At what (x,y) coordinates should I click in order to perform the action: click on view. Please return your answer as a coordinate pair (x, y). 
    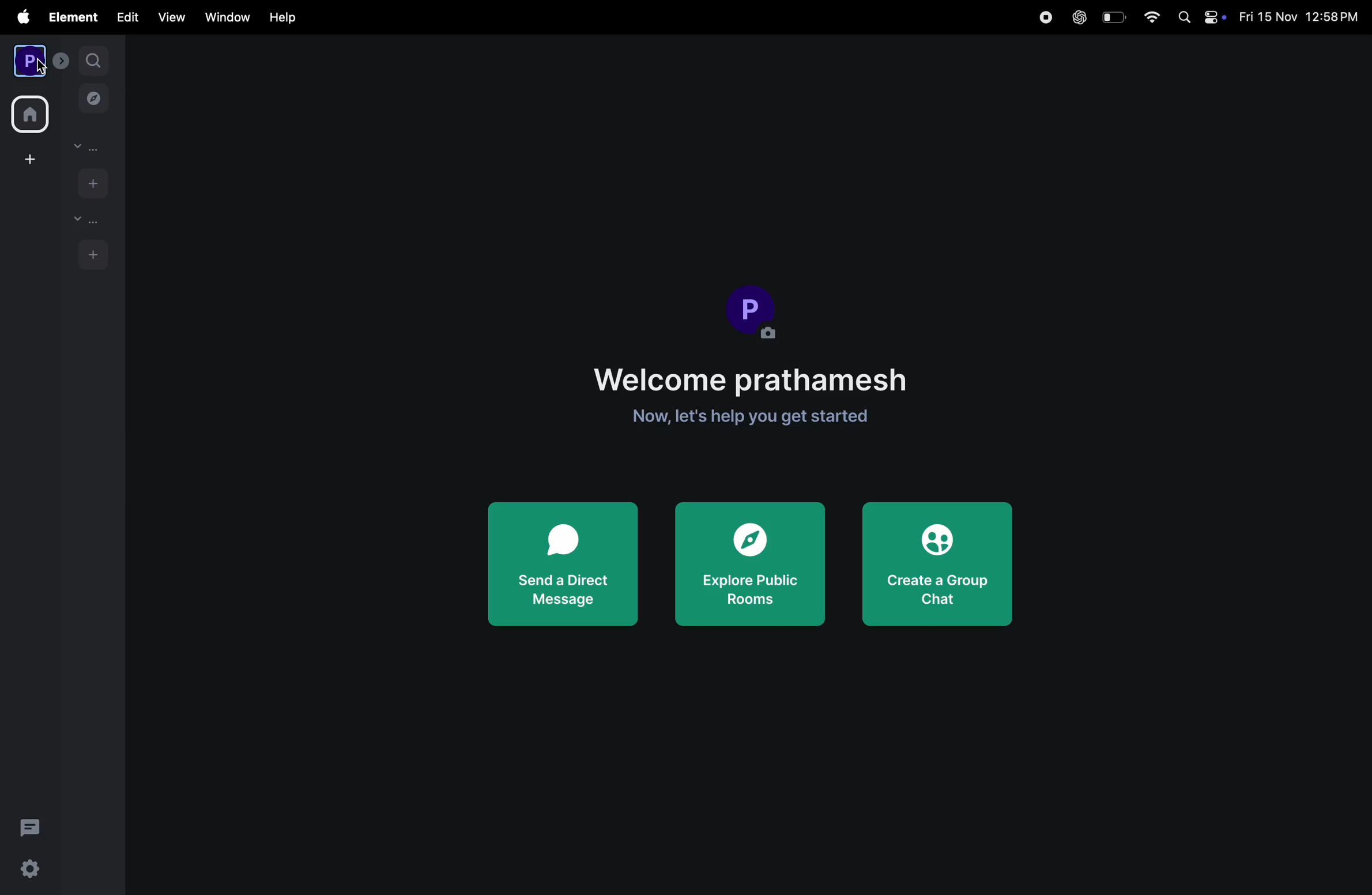
    Looking at the image, I should click on (168, 17).